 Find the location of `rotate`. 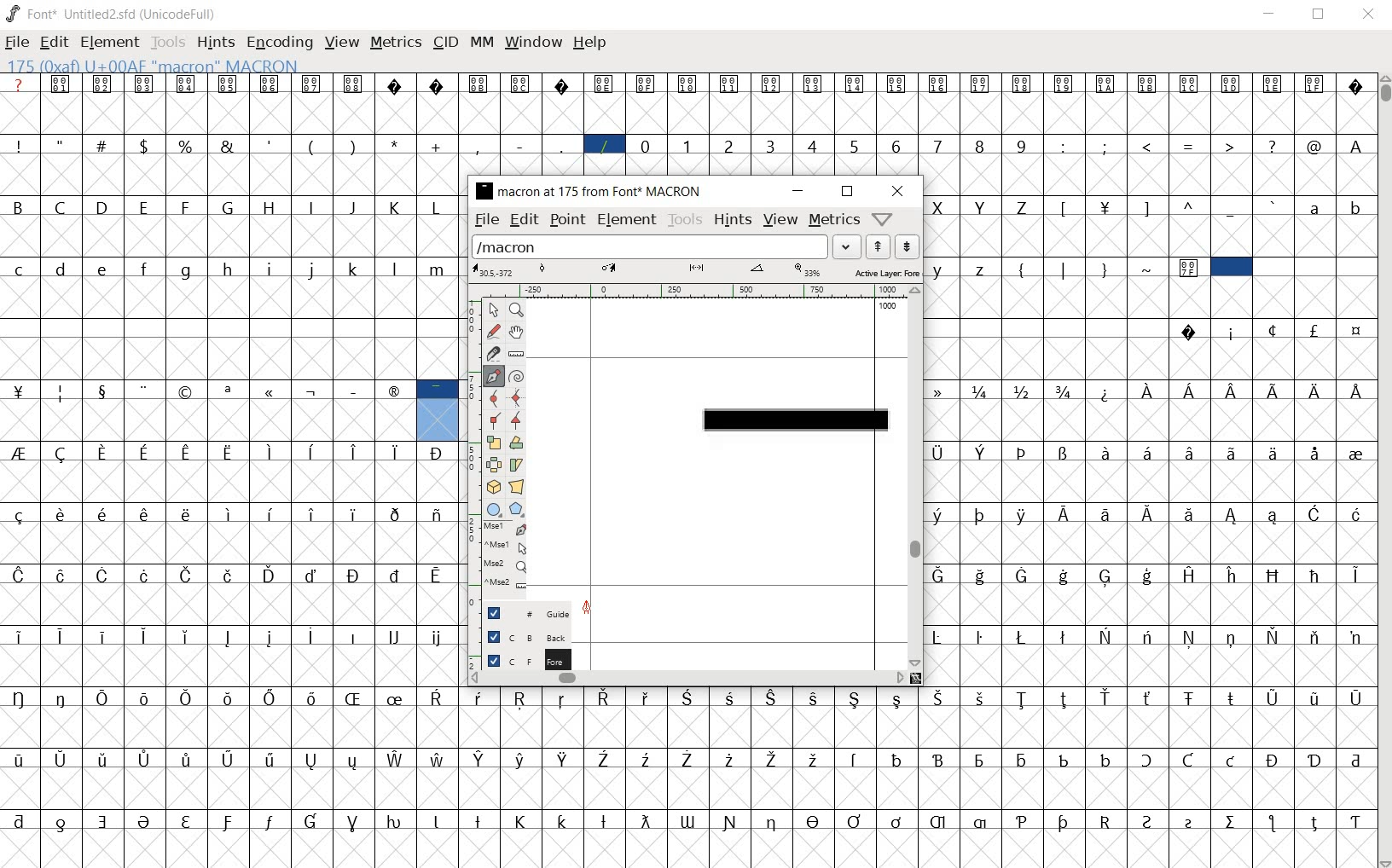

rotate is located at coordinates (516, 442).